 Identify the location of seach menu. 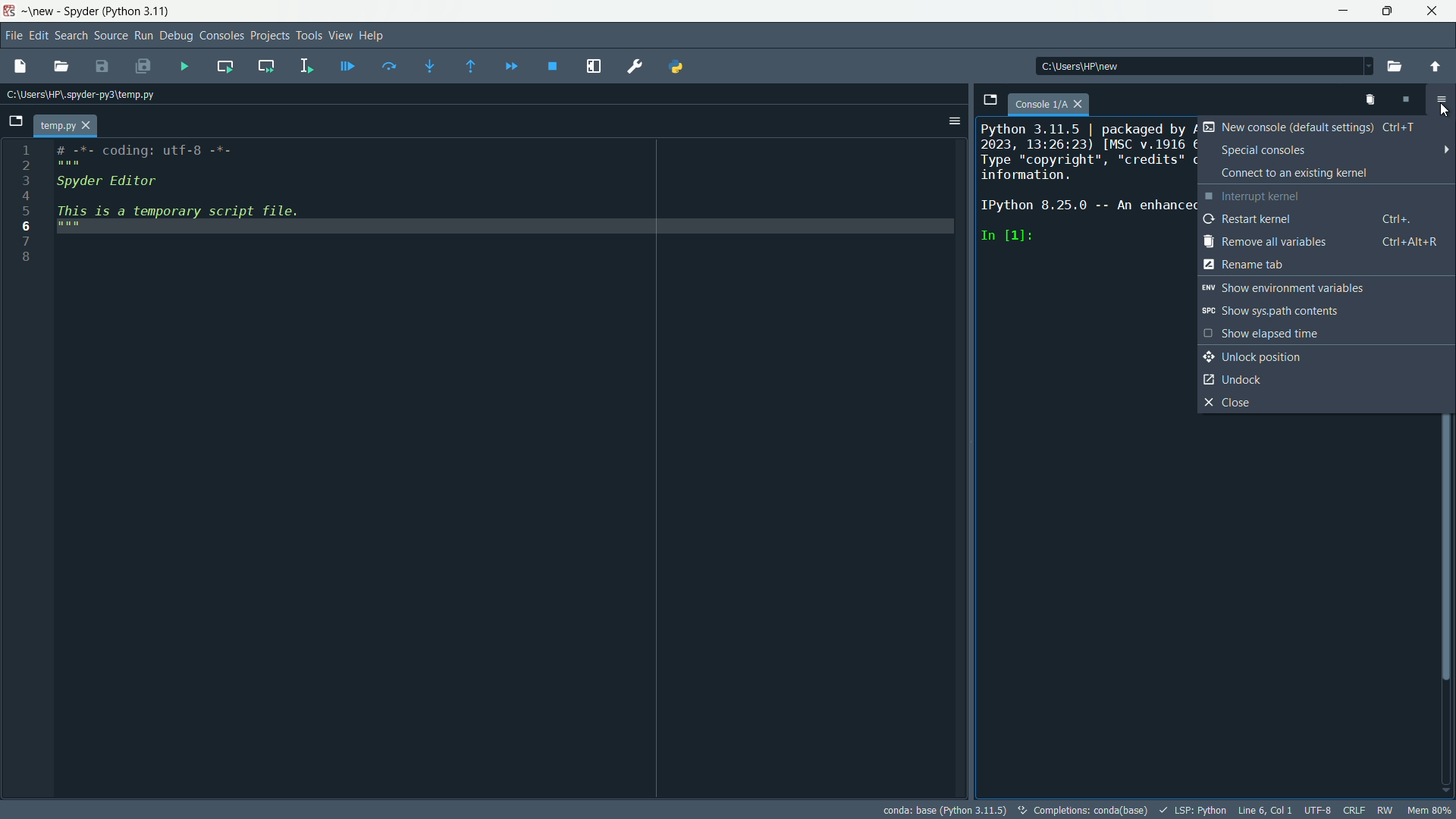
(70, 33).